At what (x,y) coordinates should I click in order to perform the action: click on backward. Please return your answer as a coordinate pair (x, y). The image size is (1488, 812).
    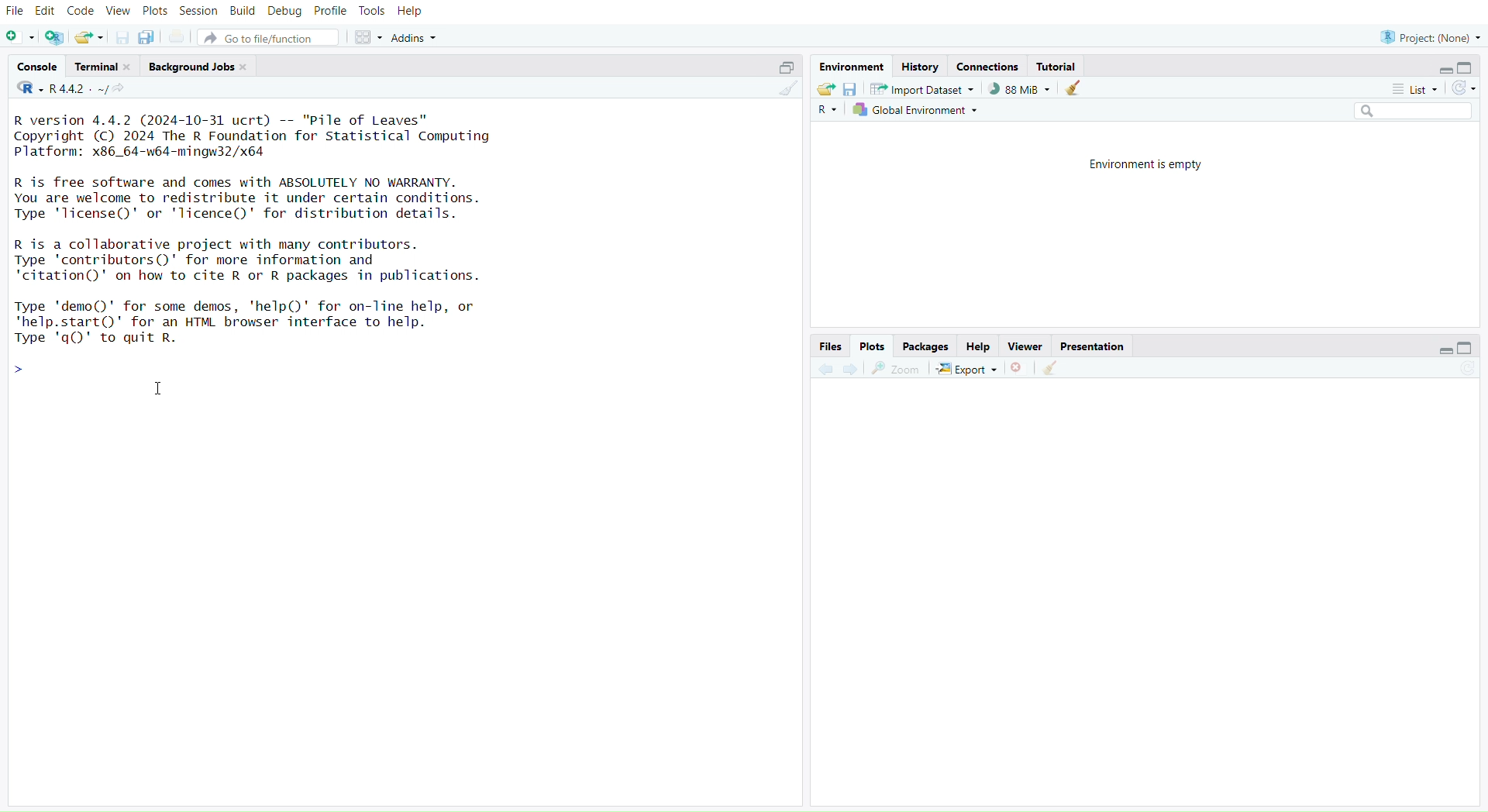
    Looking at the image, I should click on (825, 370).